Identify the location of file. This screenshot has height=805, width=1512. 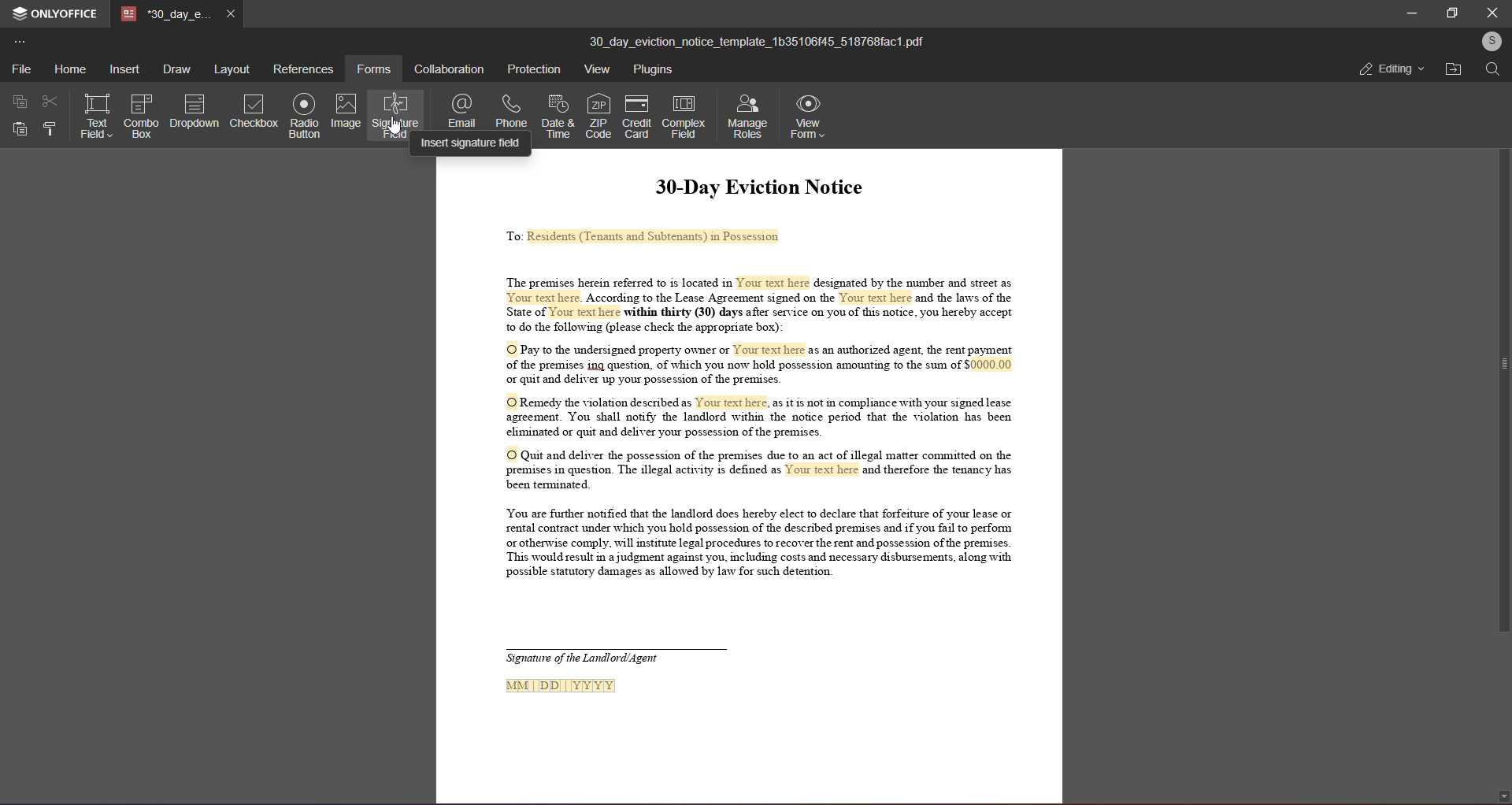
(20, 67).